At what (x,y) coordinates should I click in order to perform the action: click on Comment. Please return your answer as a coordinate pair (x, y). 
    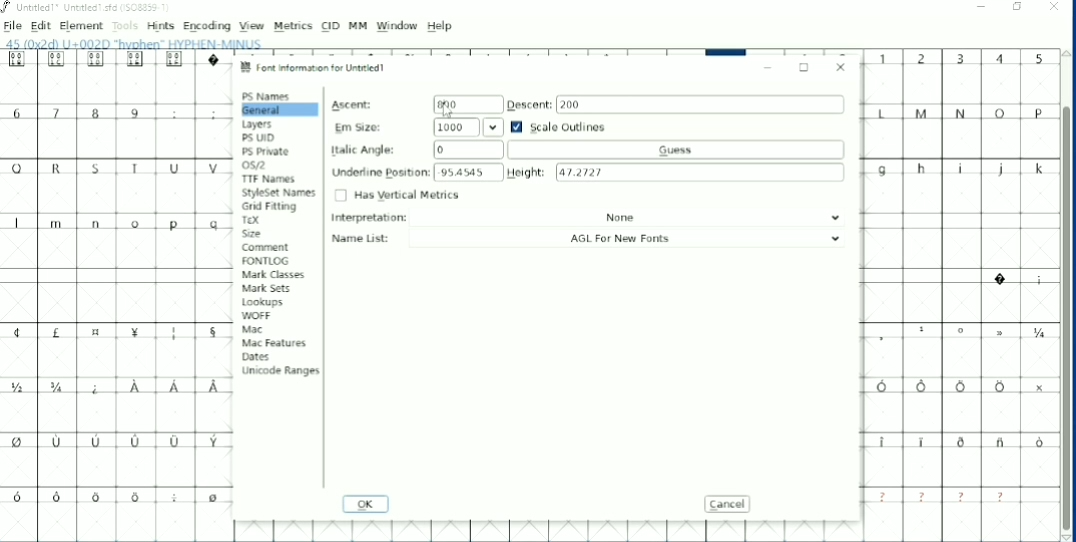
    Looking at the image, I should click on (265, 247).